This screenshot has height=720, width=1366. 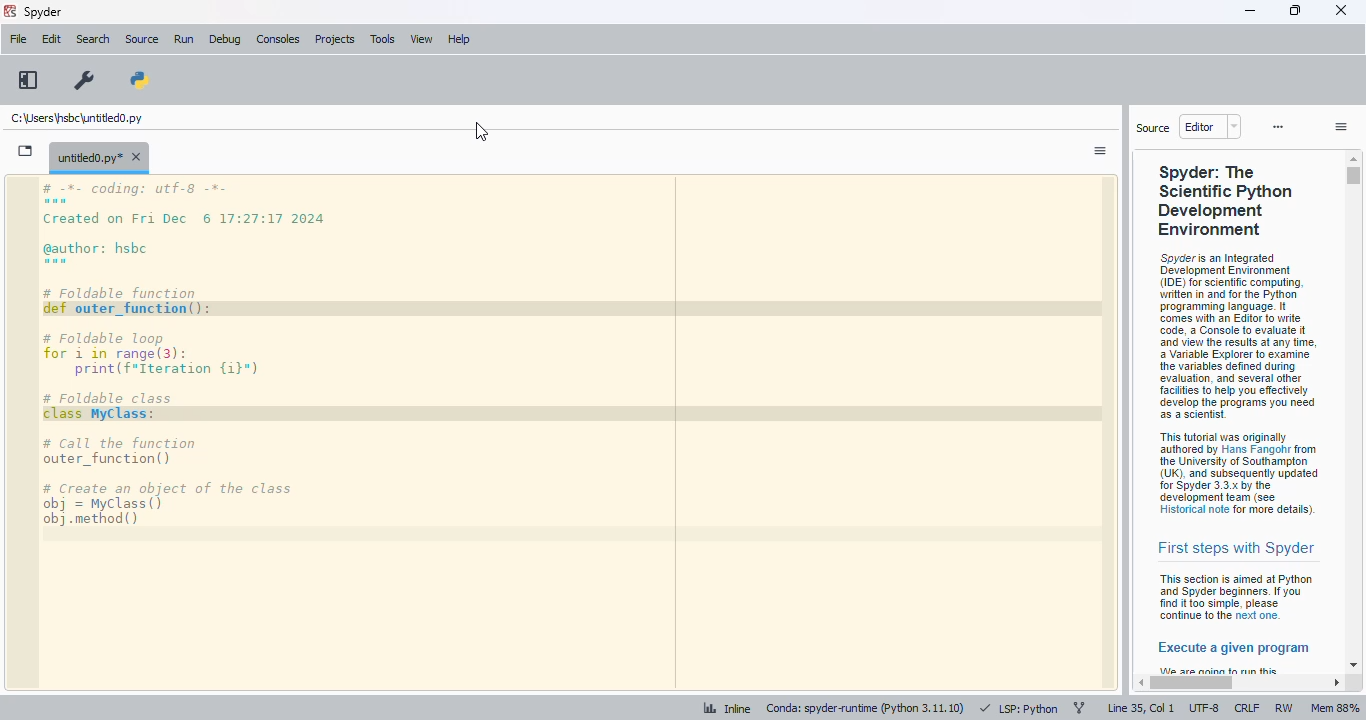 I want to click on minimize, so click(x=1251, y=11).